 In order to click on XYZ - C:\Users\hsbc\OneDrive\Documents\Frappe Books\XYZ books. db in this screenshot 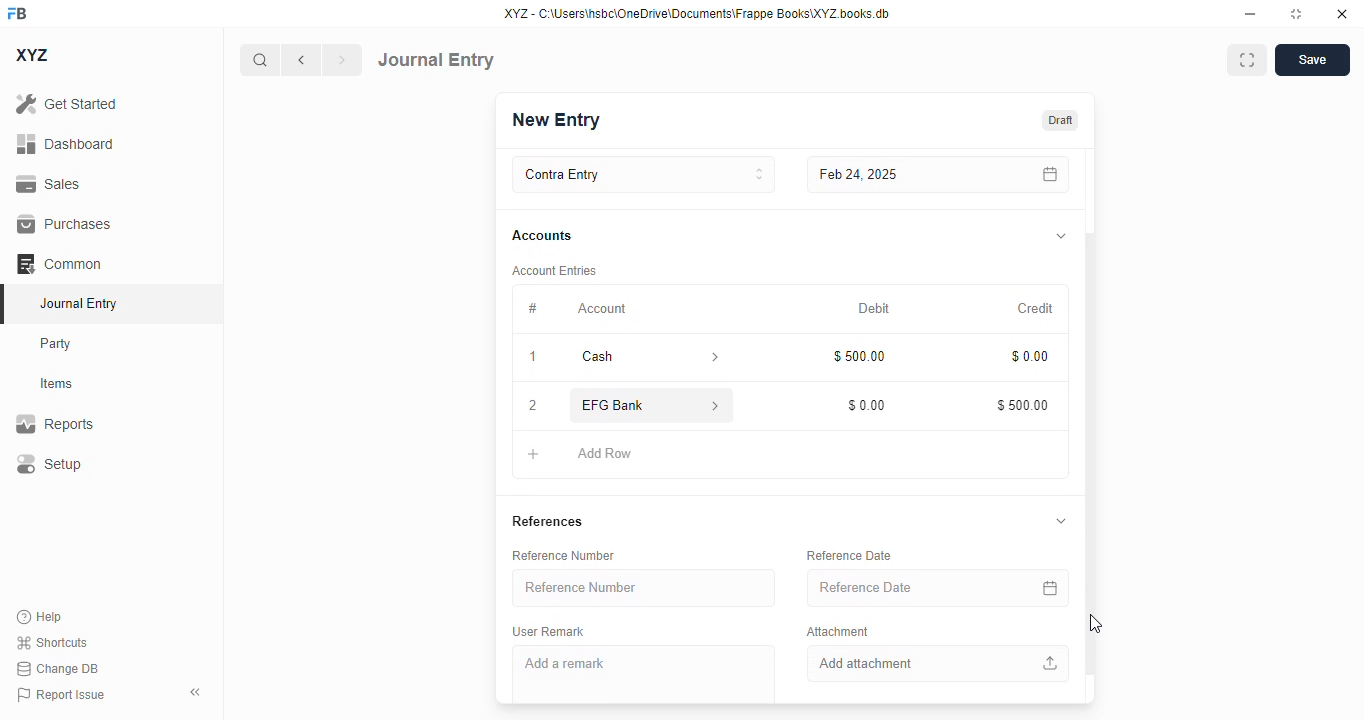, I will do `click(697, 14)`.